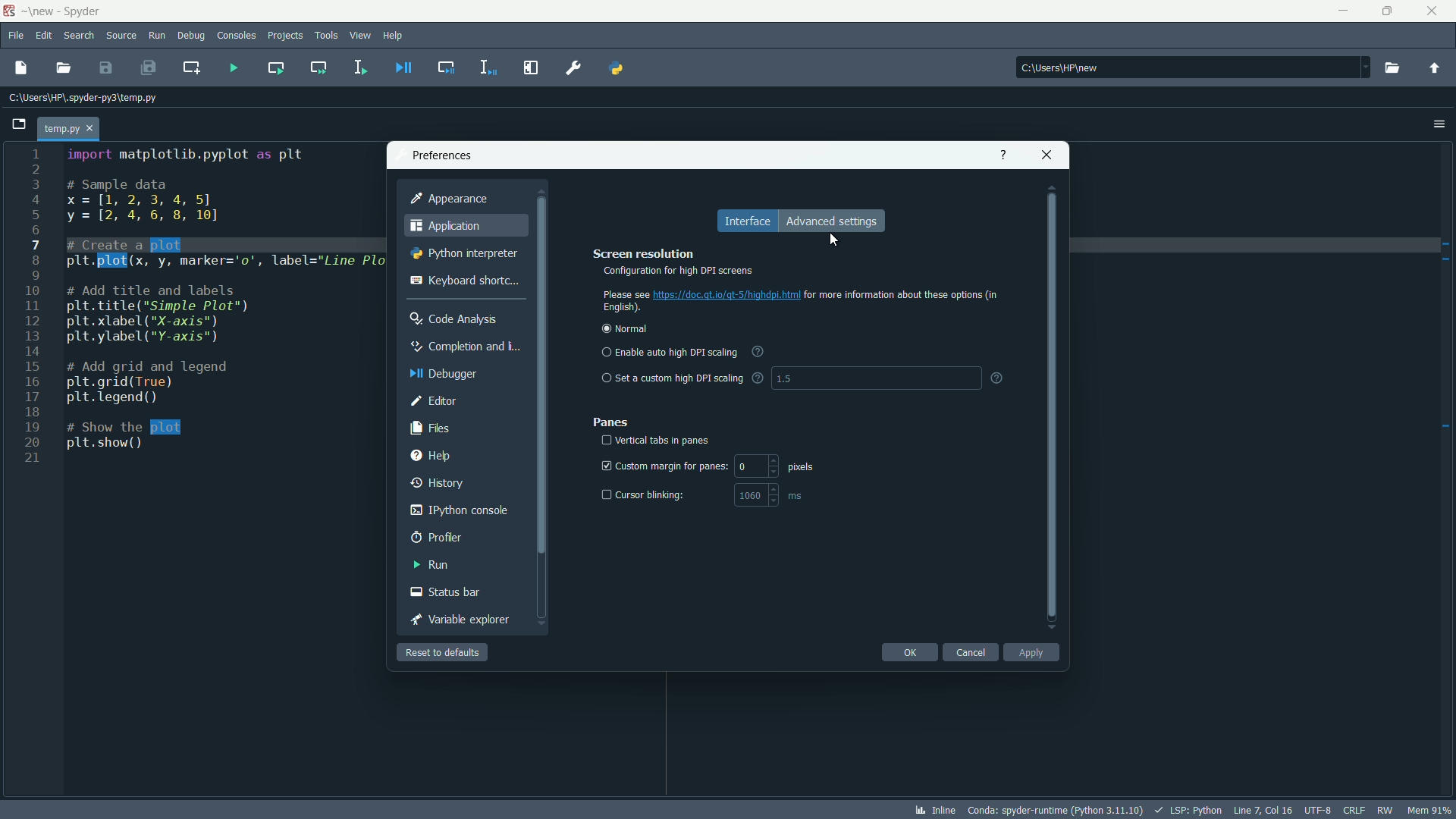 This screenshot has height=819, width=1456. Describe the element at coordinates (446, 591) in the screenshot. I see `status bar` at that location.